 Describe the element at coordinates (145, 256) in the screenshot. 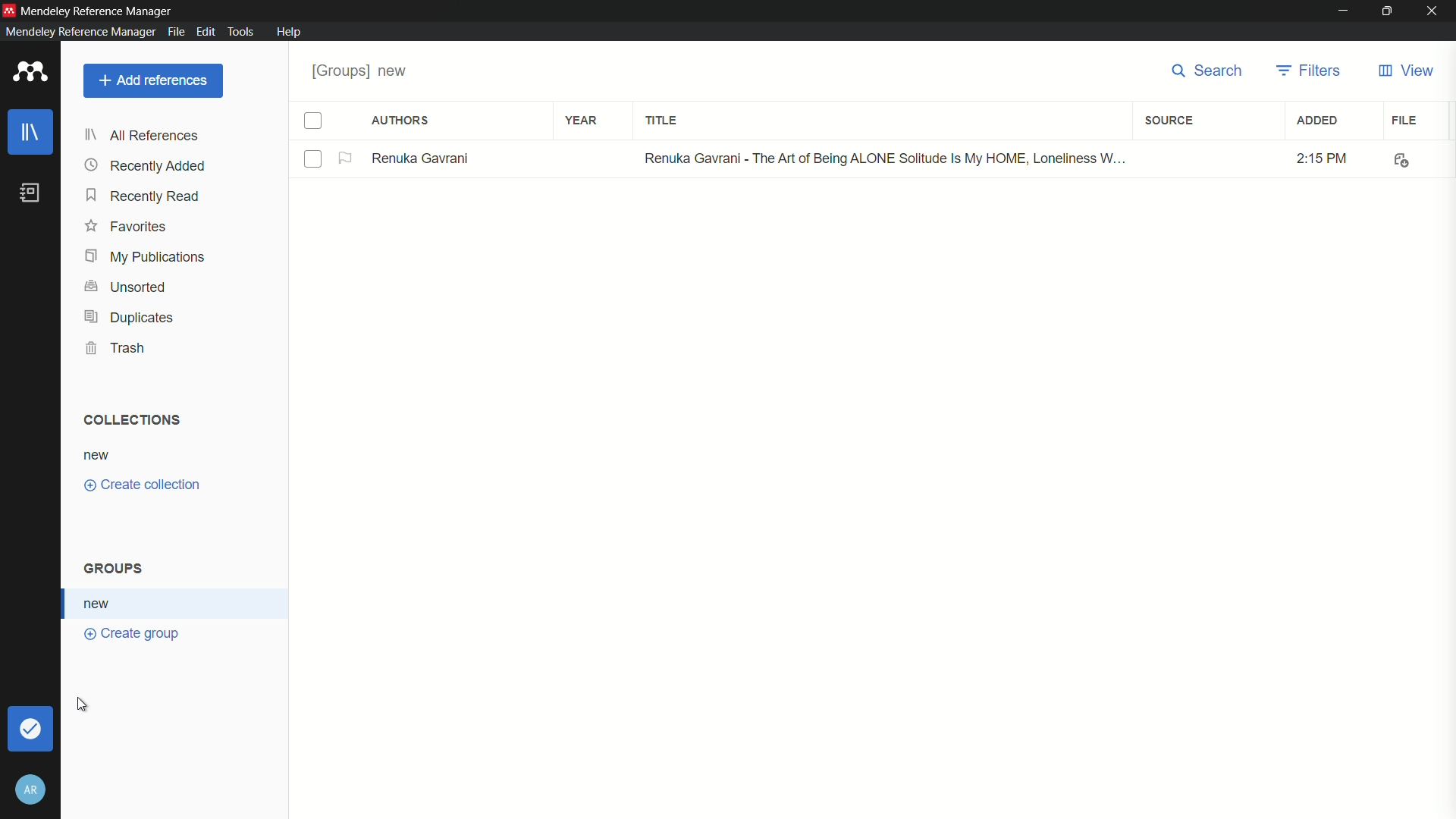

I see `my publications` at that location.